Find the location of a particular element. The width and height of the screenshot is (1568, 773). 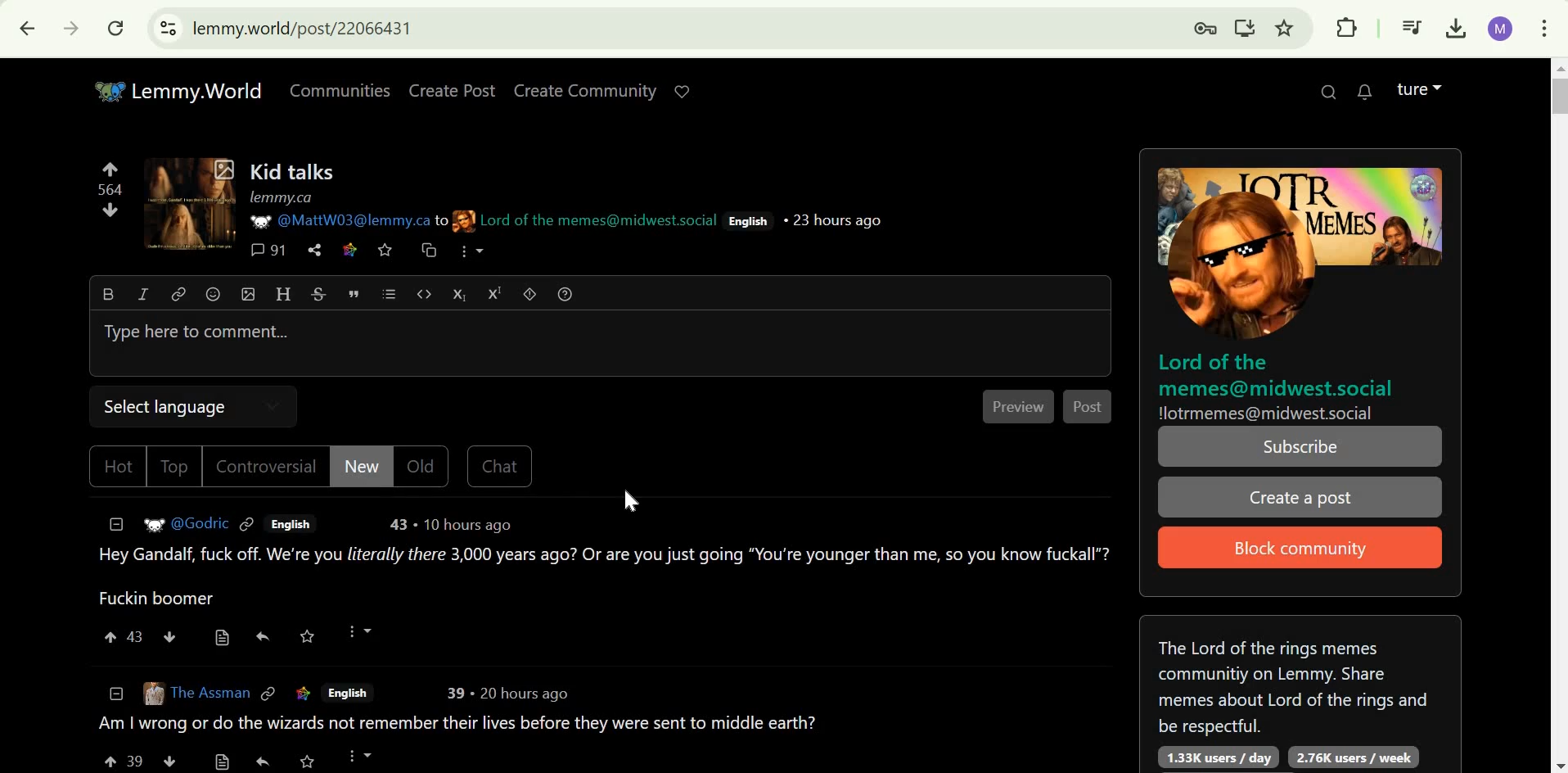

Lemmy.World is located at coordinates (178, 91).